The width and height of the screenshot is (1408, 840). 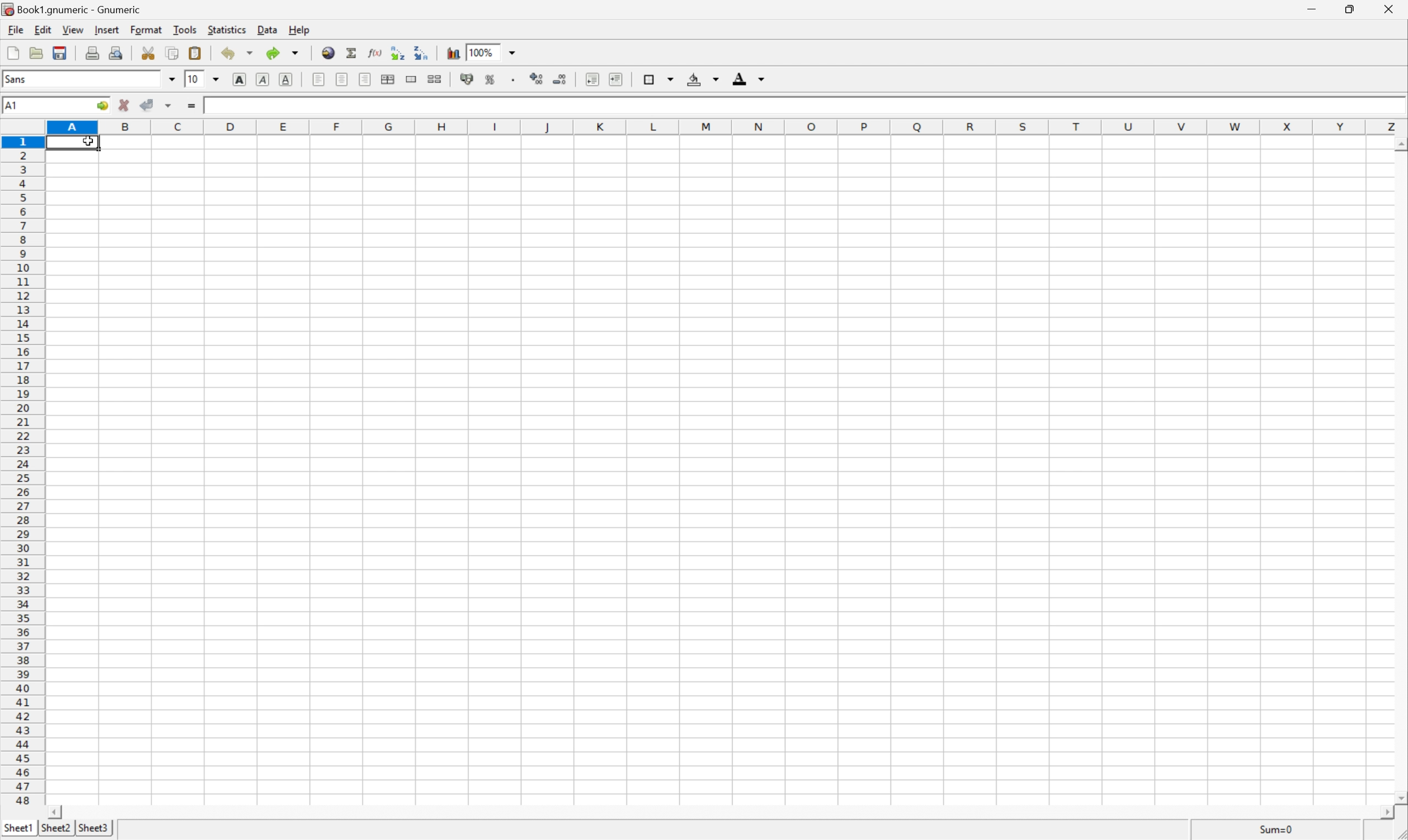 What do you see at coordinates (104, 107) in the screenshot?
I see `go to` at bounding box center [104, 107].